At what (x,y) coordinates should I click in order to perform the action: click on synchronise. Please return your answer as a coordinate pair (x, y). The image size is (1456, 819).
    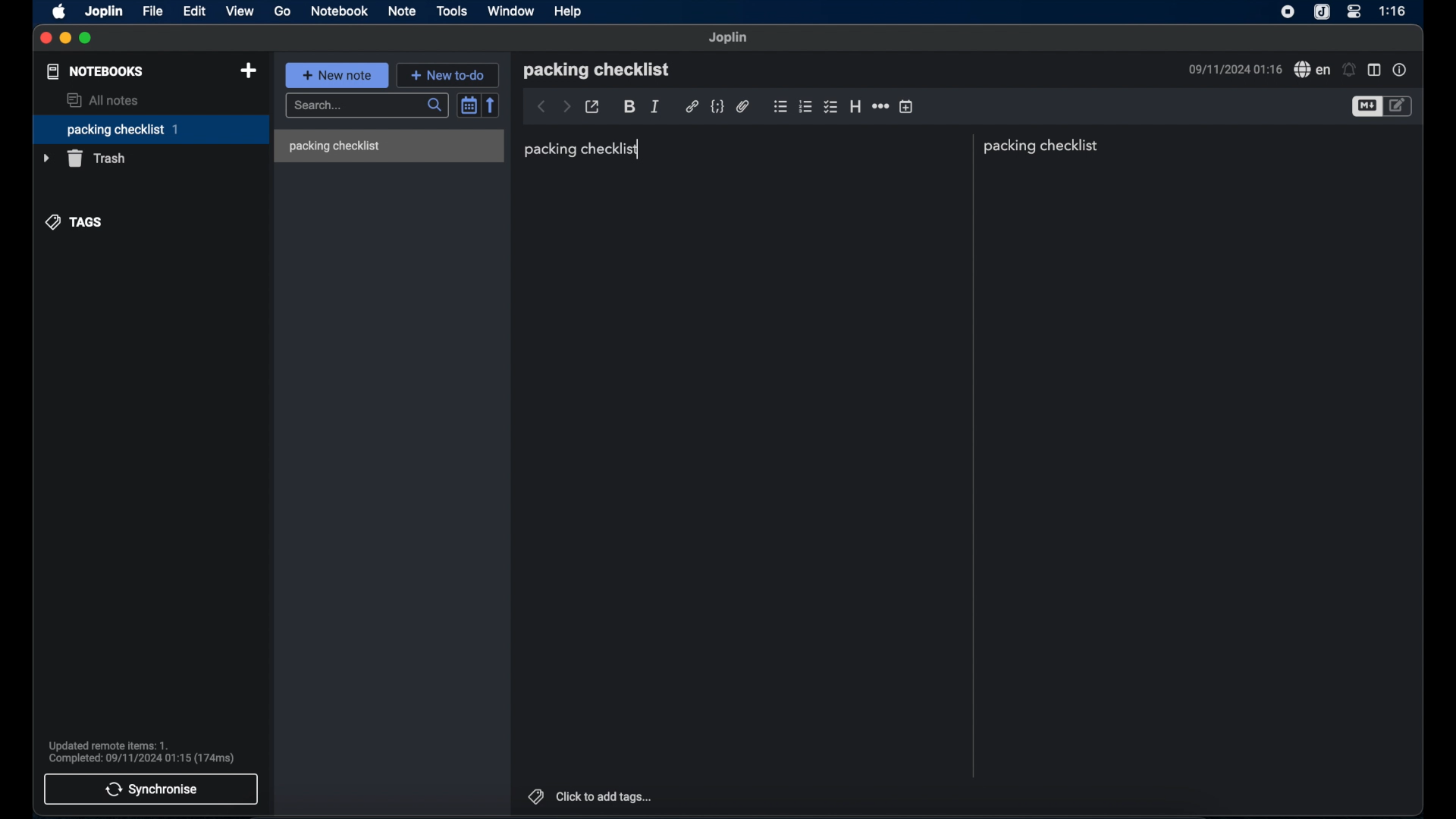
    Looking at the image, I should click on (150, 789).